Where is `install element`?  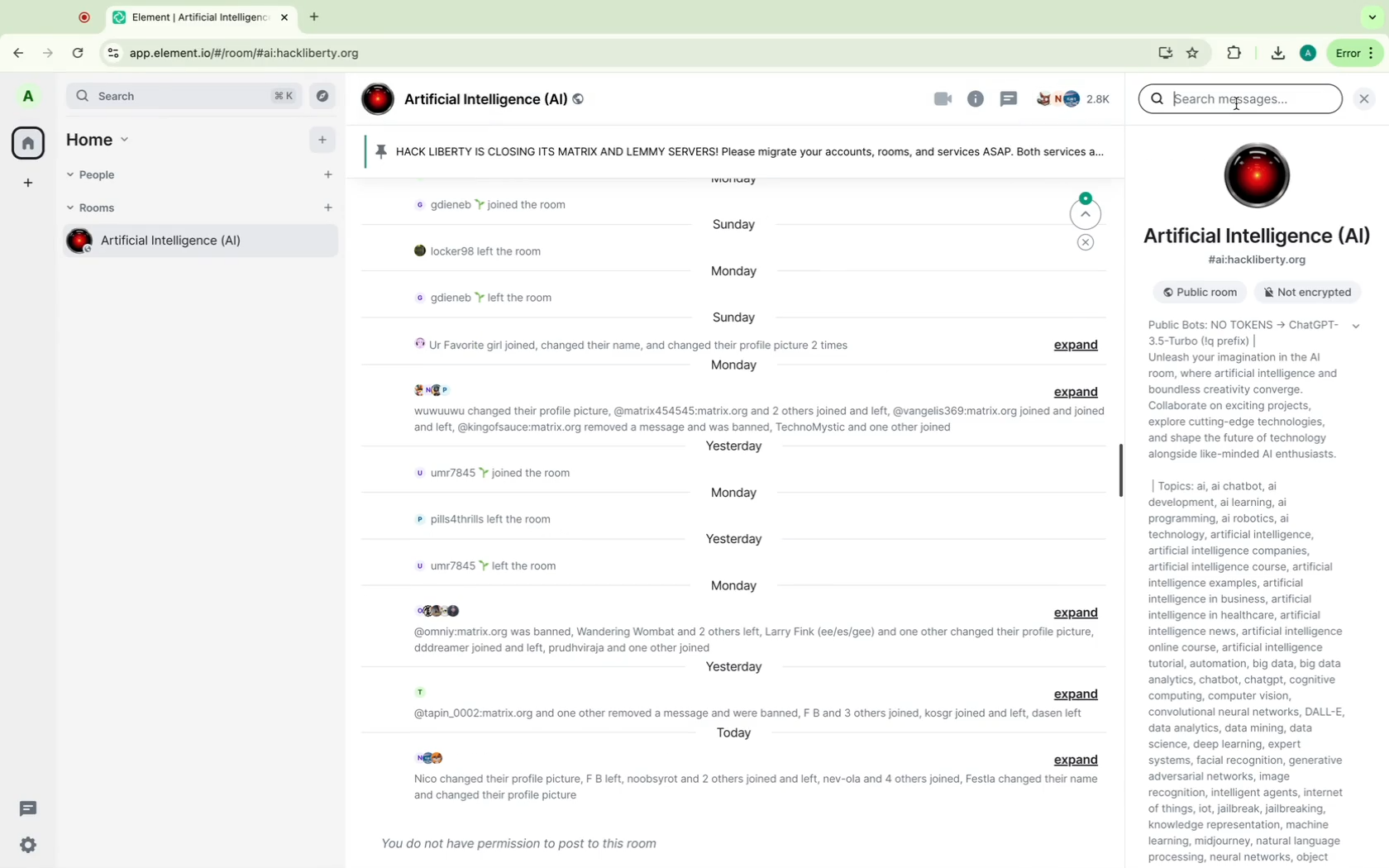 install element is located at coordinates (1166, 53).